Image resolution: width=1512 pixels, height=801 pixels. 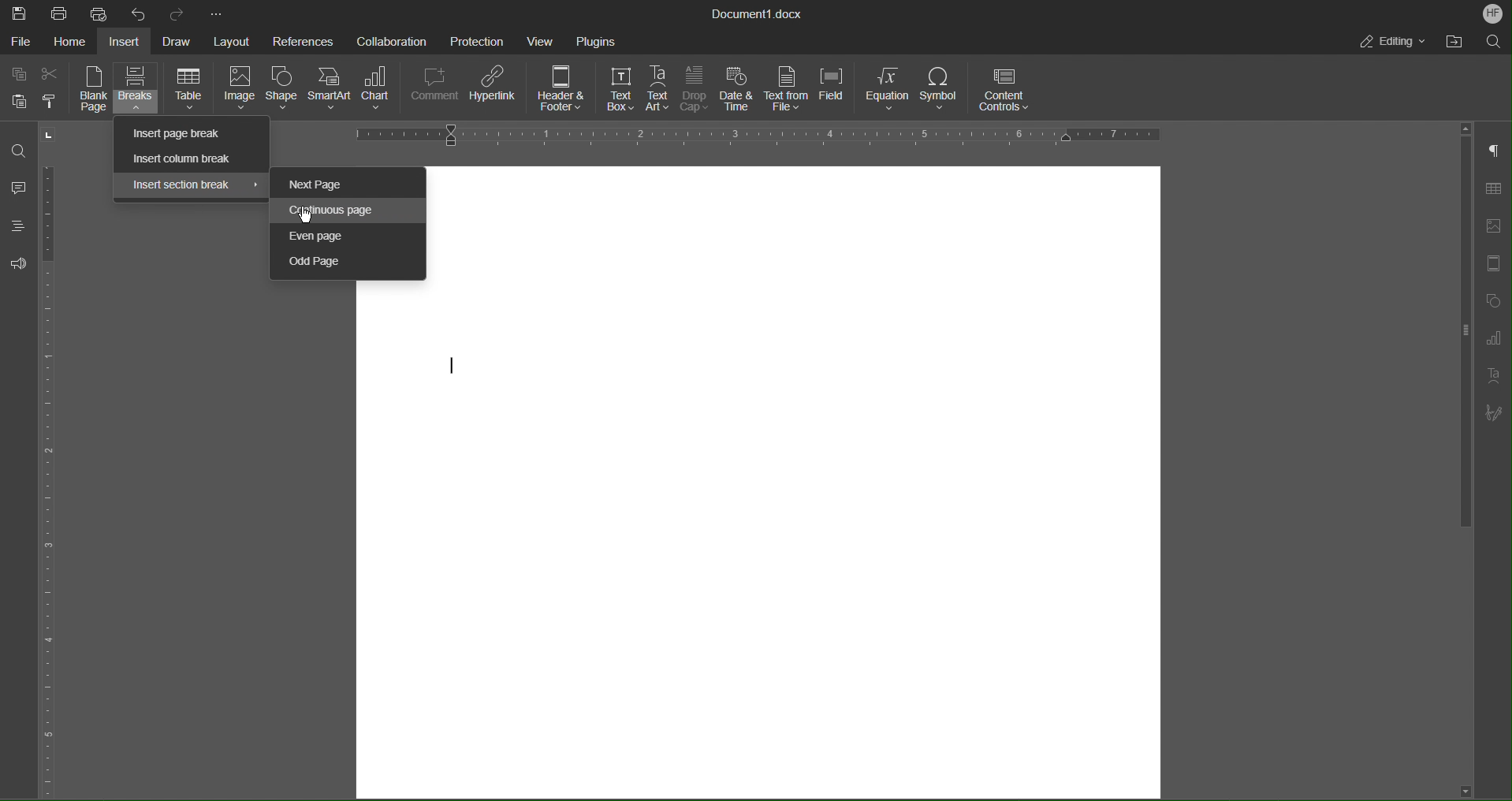 What do you see at coordinates (19, 152) in the screenshot?
I see `Find` at bounding box center [19, 152].